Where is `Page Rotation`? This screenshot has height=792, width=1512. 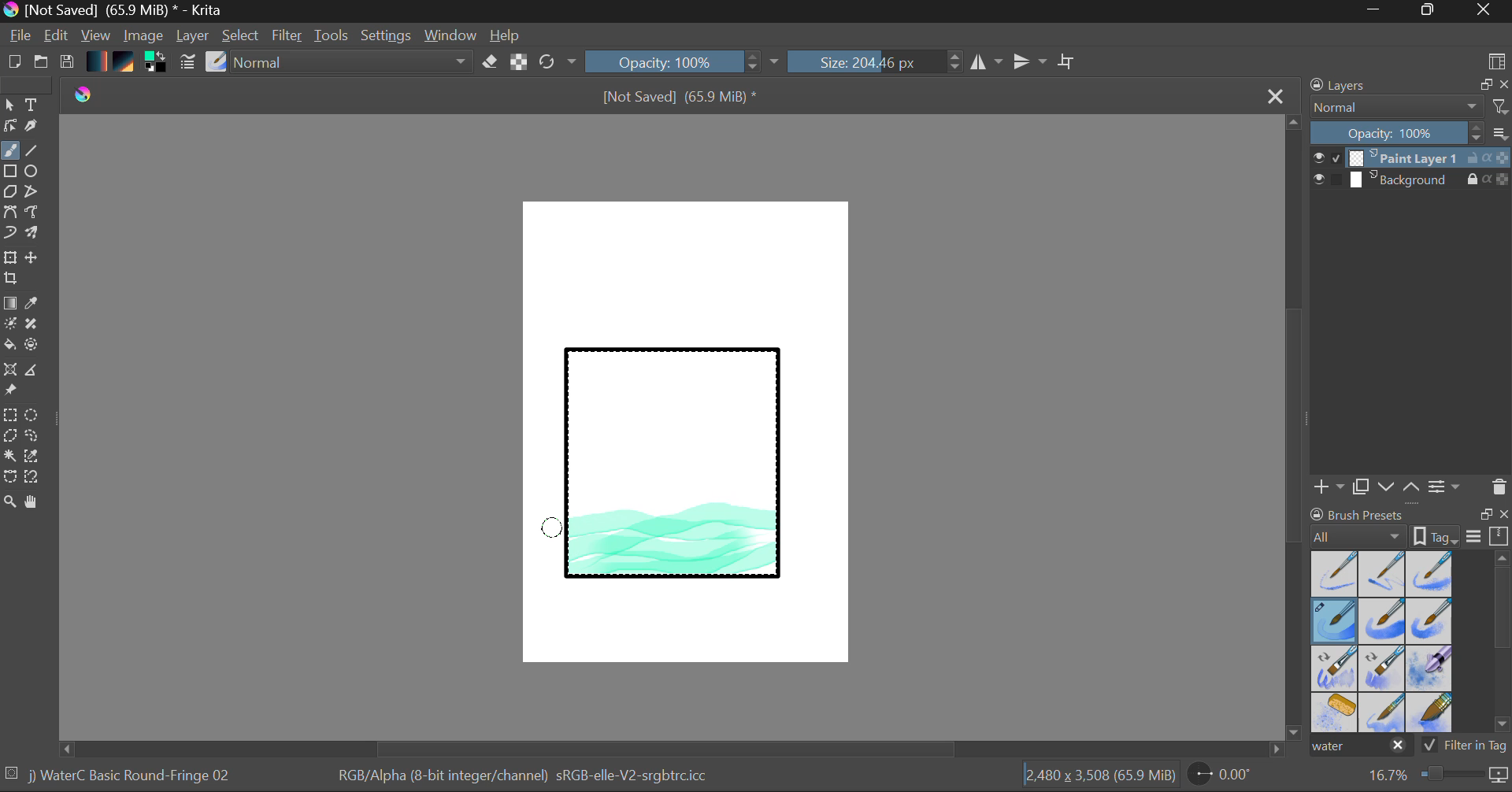
Page Rotation is located at coordinates (1228, 777).